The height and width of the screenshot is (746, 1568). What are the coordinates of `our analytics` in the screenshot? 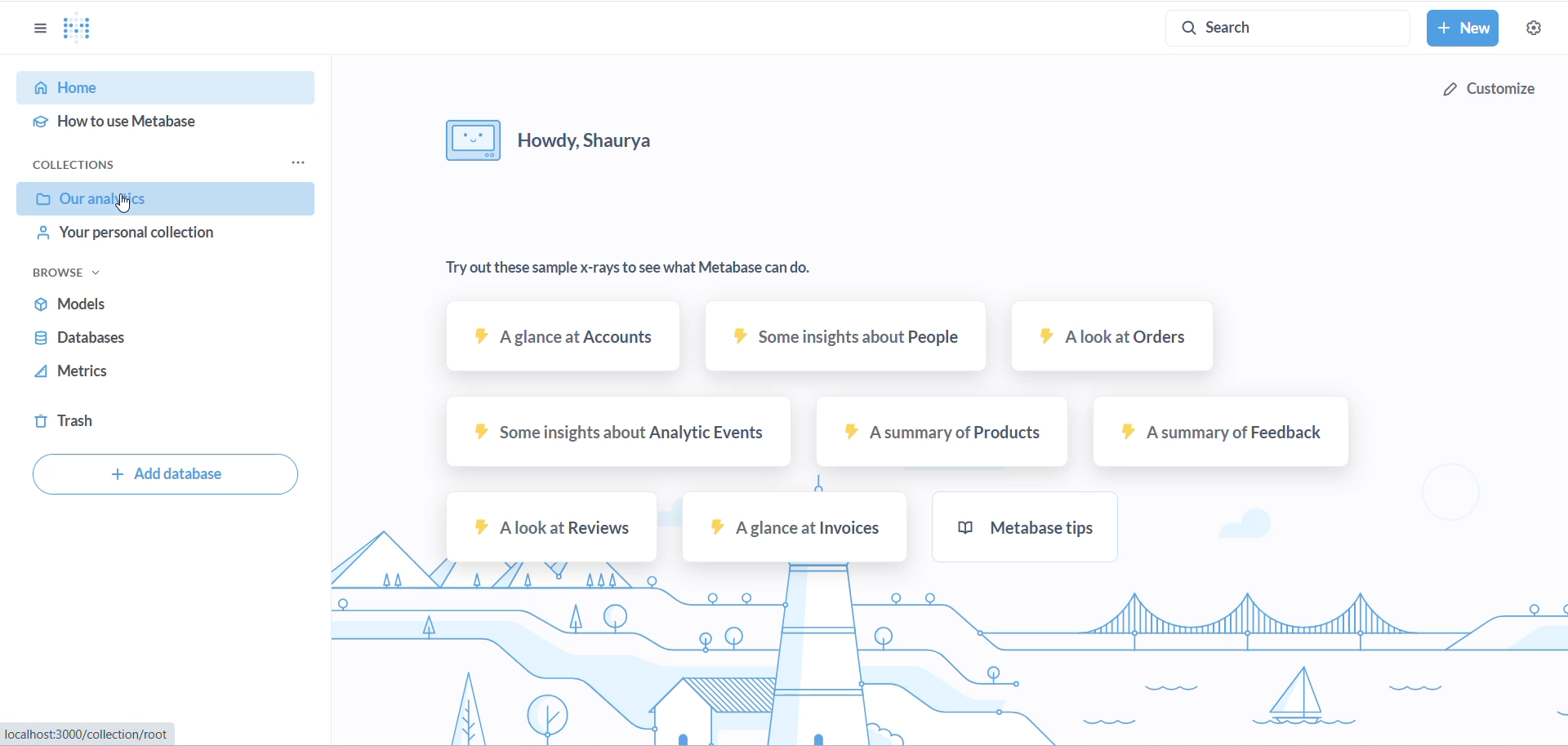 It's located at (160, 199).